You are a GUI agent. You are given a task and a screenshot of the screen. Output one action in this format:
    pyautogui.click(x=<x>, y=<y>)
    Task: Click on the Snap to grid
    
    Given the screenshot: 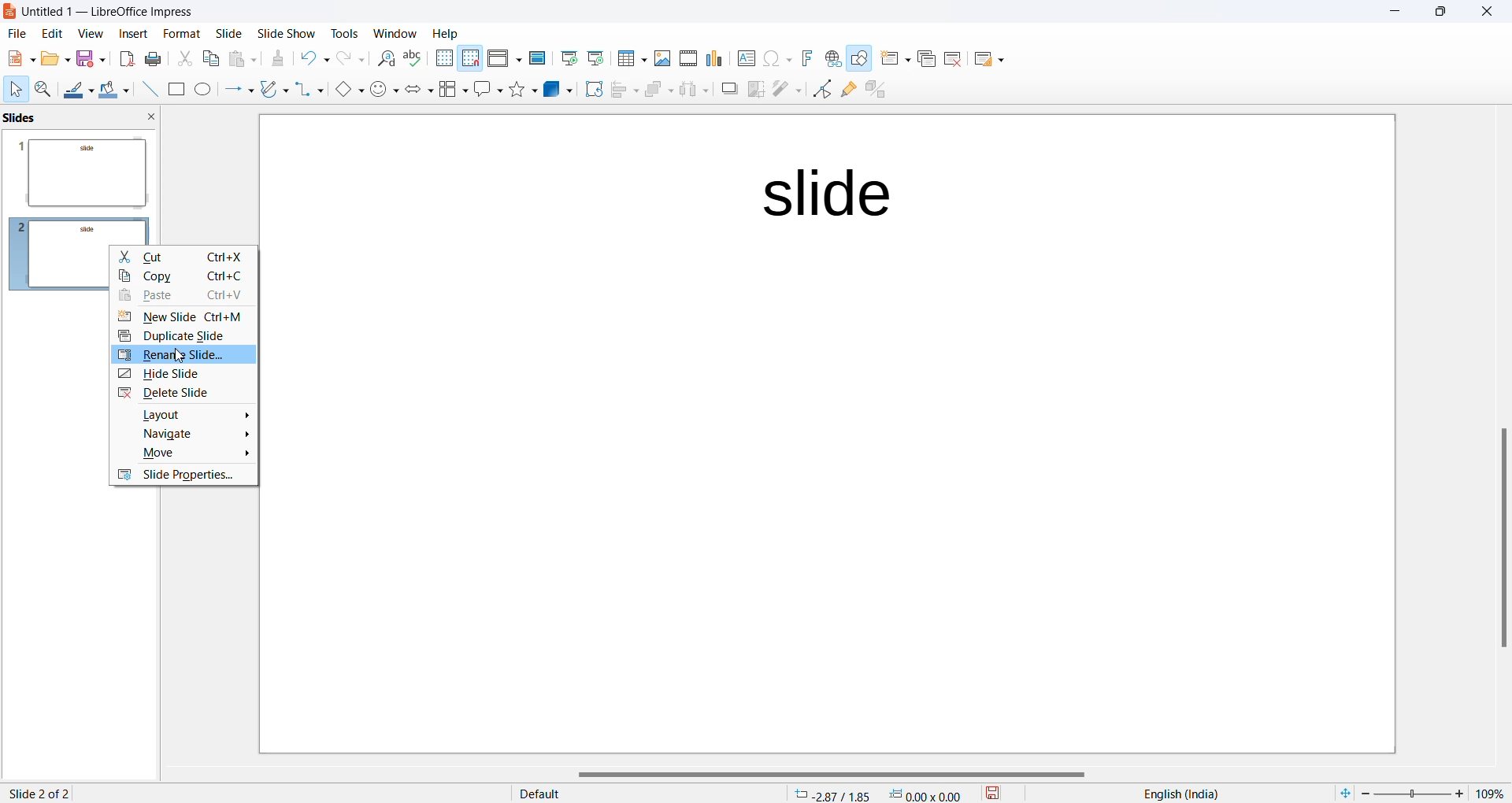 What is the action you would take?
    pyautogui.click(x=471, y=58)
    